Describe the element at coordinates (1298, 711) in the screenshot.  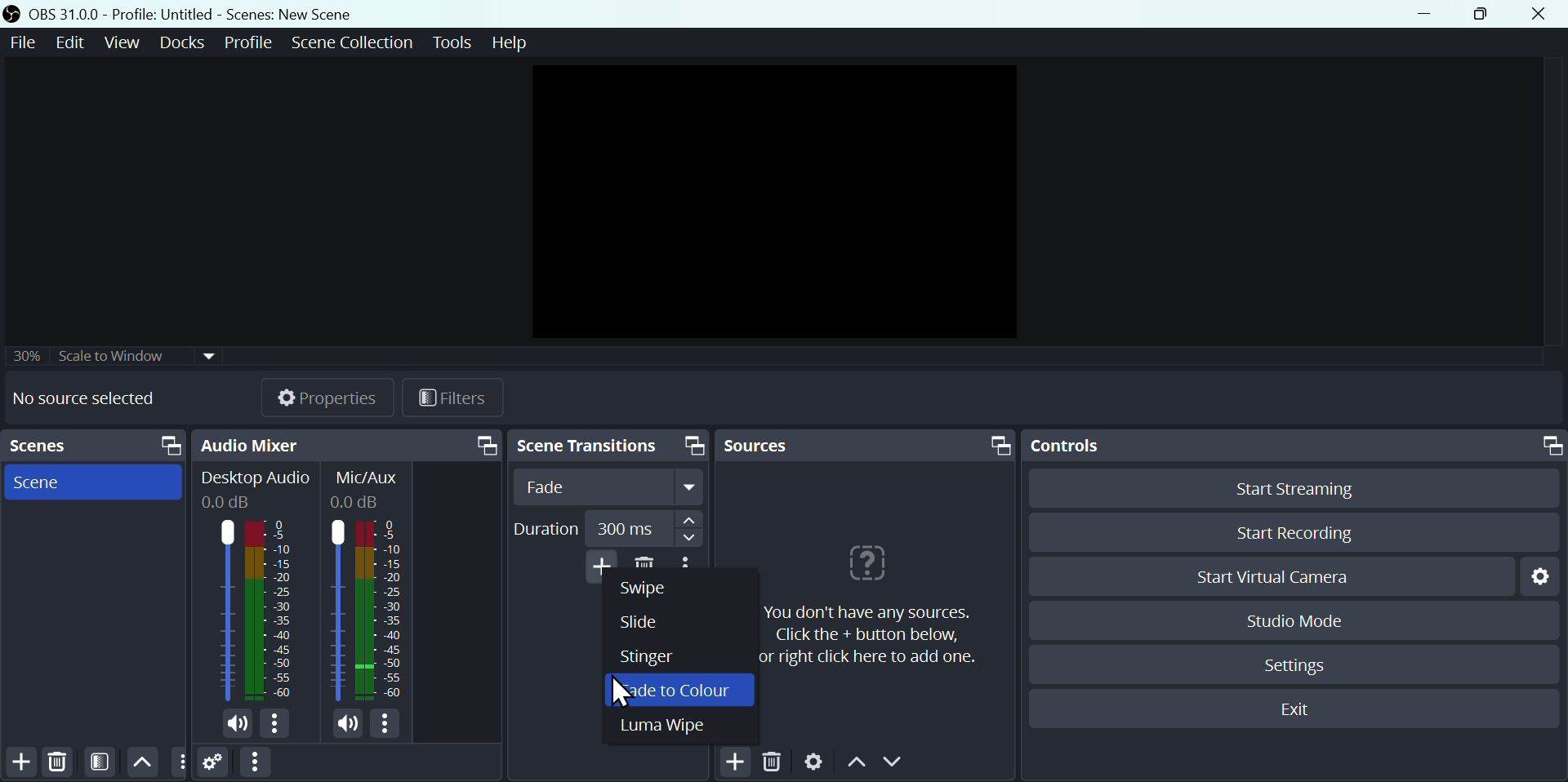
I see `Exit` at that location.